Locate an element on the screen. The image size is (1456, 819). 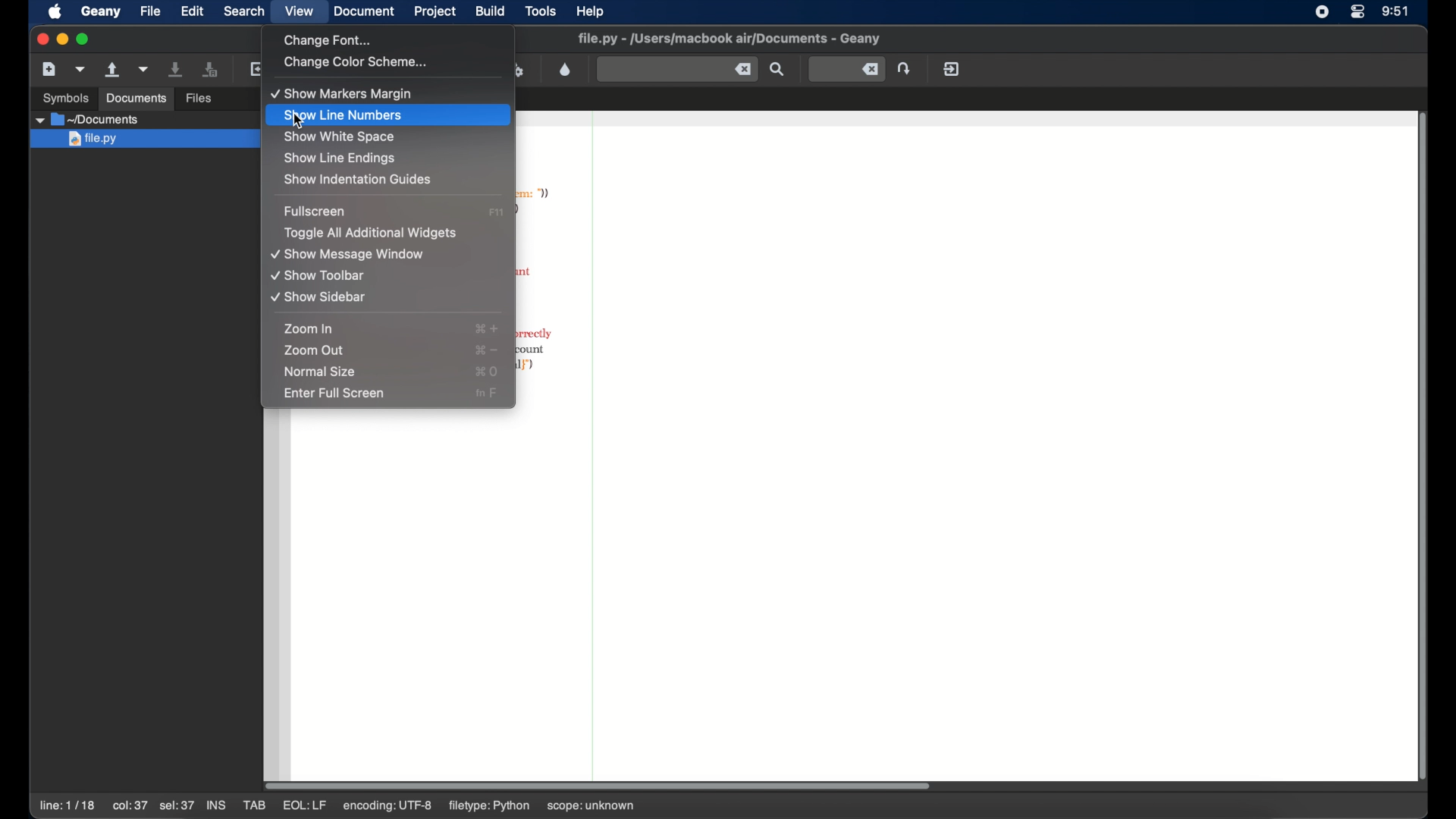
maximize is located at coordinates (83, 39).